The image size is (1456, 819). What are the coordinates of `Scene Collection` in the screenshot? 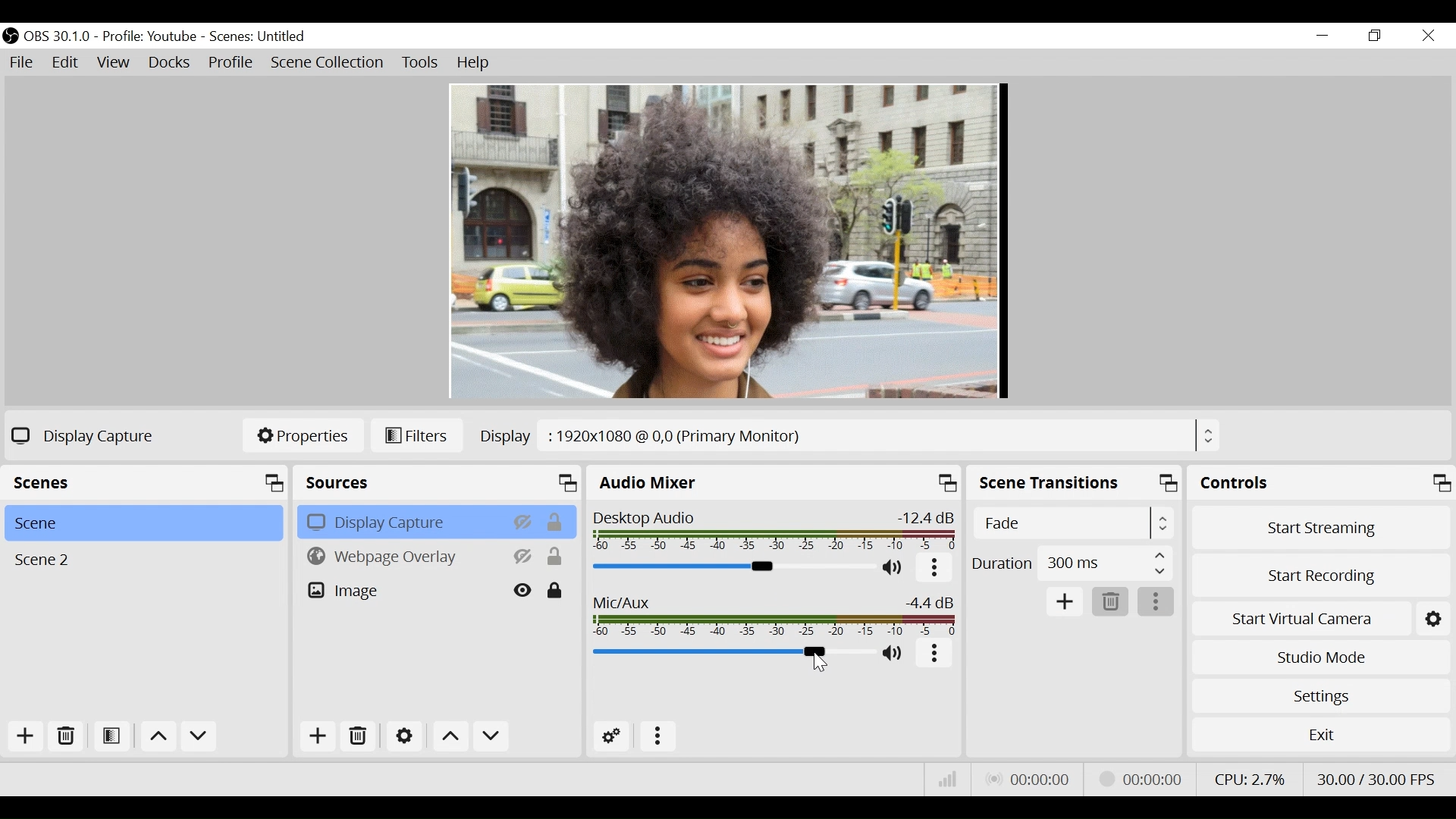 It's located at (327, 61).